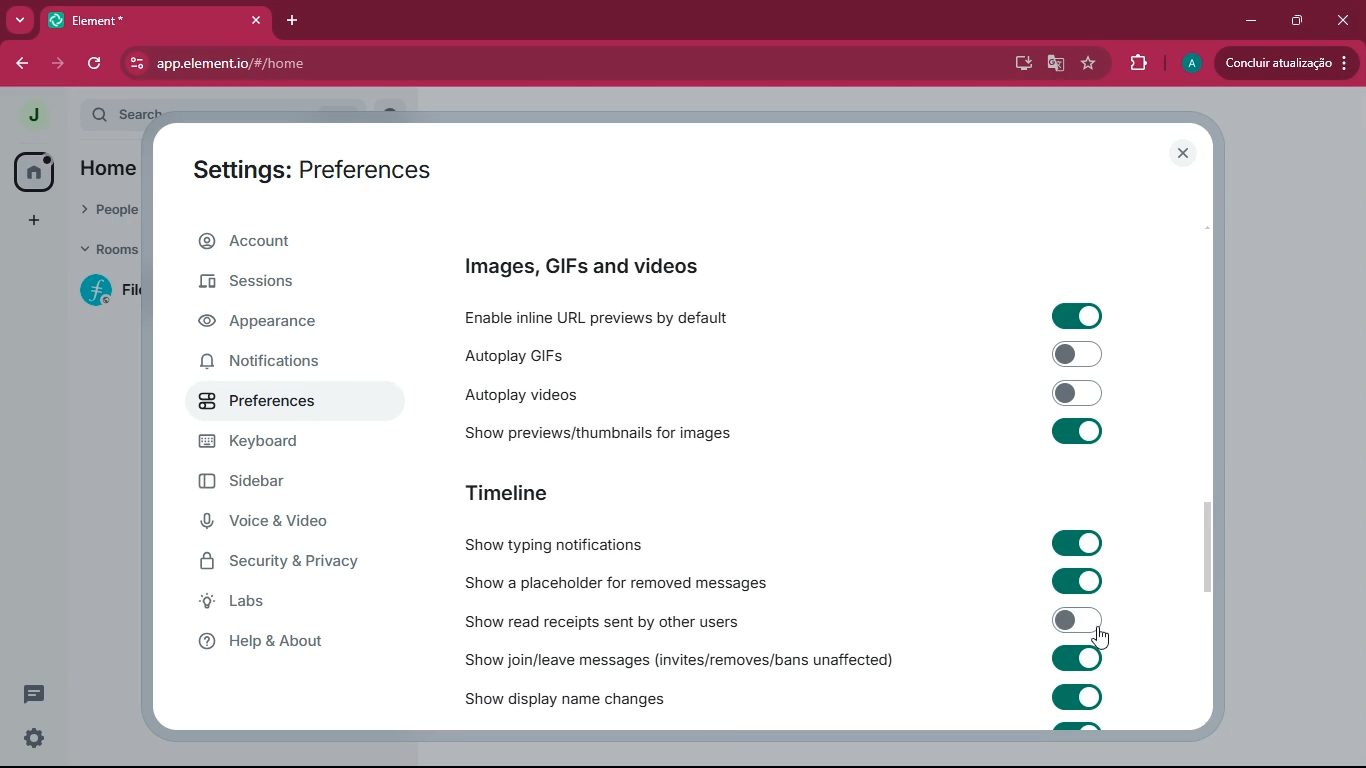 This screenshot has height=768, width=1366. Describe the element at coordinates (273, 326) in the screenshot. I see `appearance` at that location.